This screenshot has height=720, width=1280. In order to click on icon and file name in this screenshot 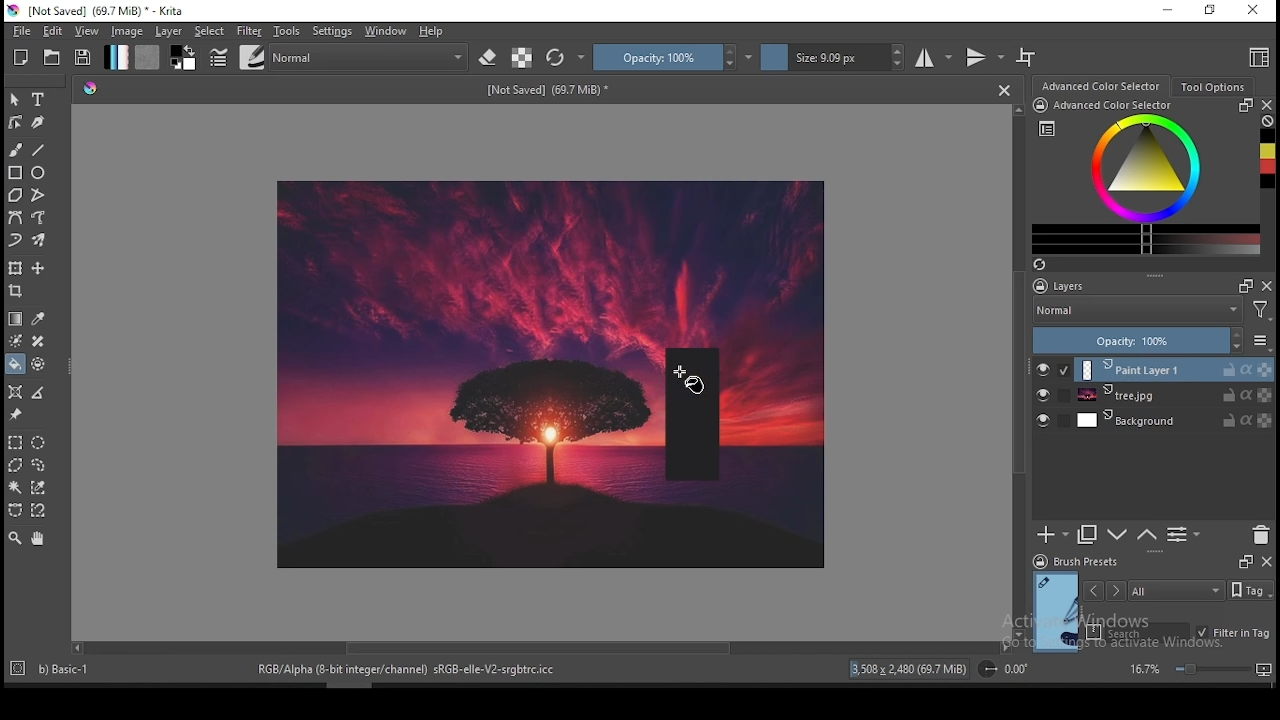, I will do `click(98, 11)`.